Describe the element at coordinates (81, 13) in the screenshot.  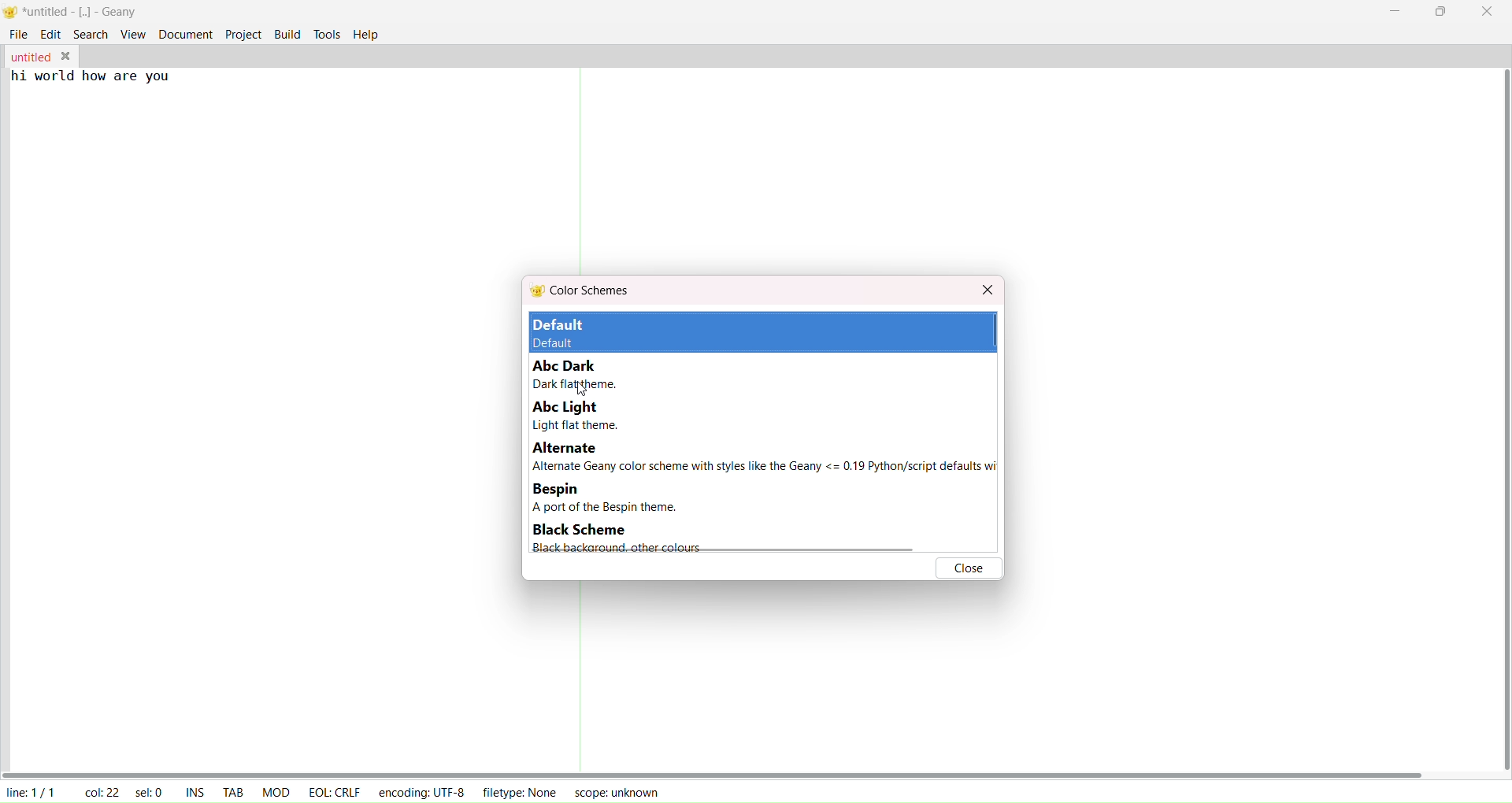
I see `title` at that location.